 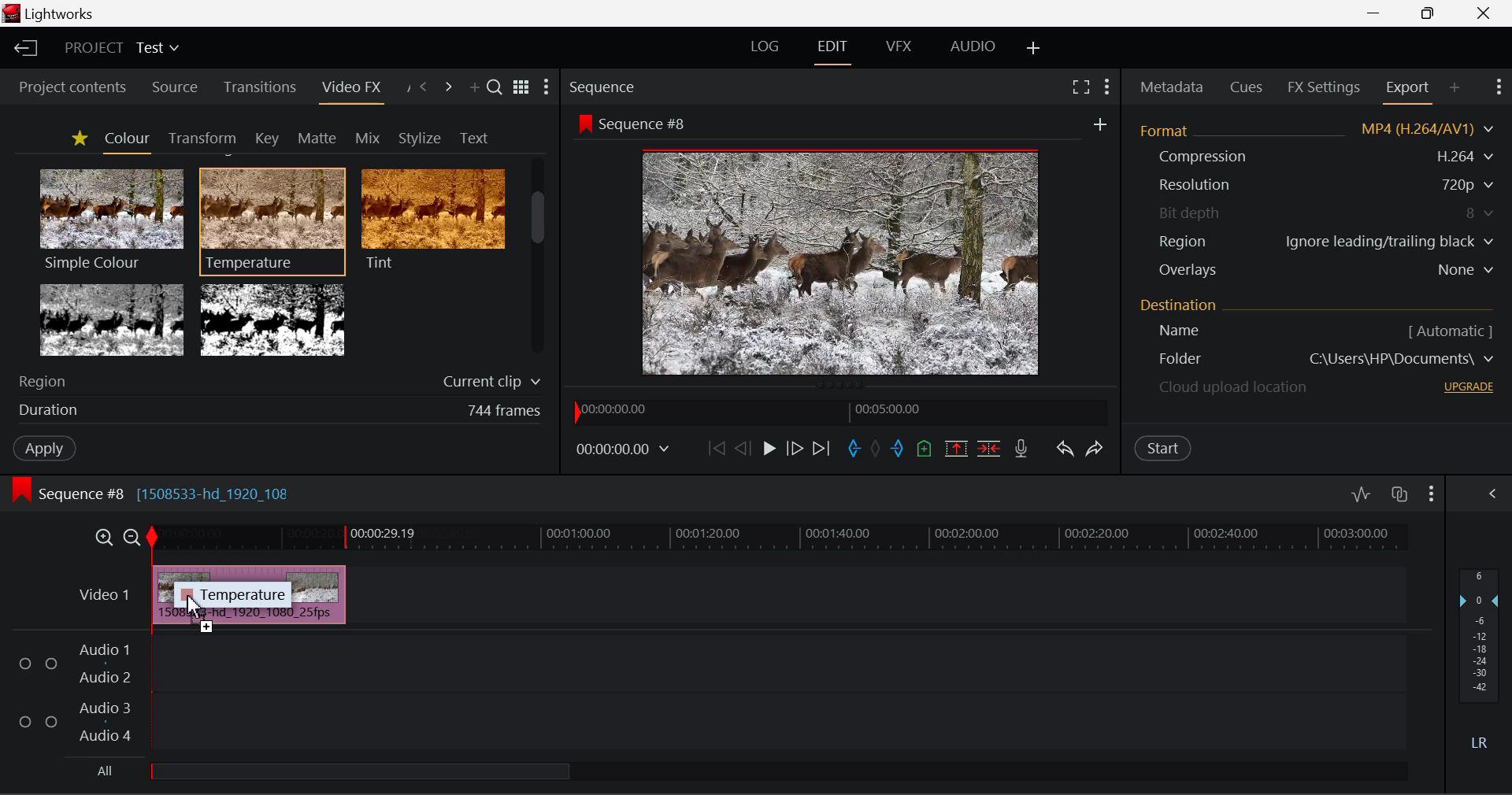 What do you see at coordinates (523, 88) in the screenshot?
I see `Toggle between title and list view` at bounding box center [523, 88].